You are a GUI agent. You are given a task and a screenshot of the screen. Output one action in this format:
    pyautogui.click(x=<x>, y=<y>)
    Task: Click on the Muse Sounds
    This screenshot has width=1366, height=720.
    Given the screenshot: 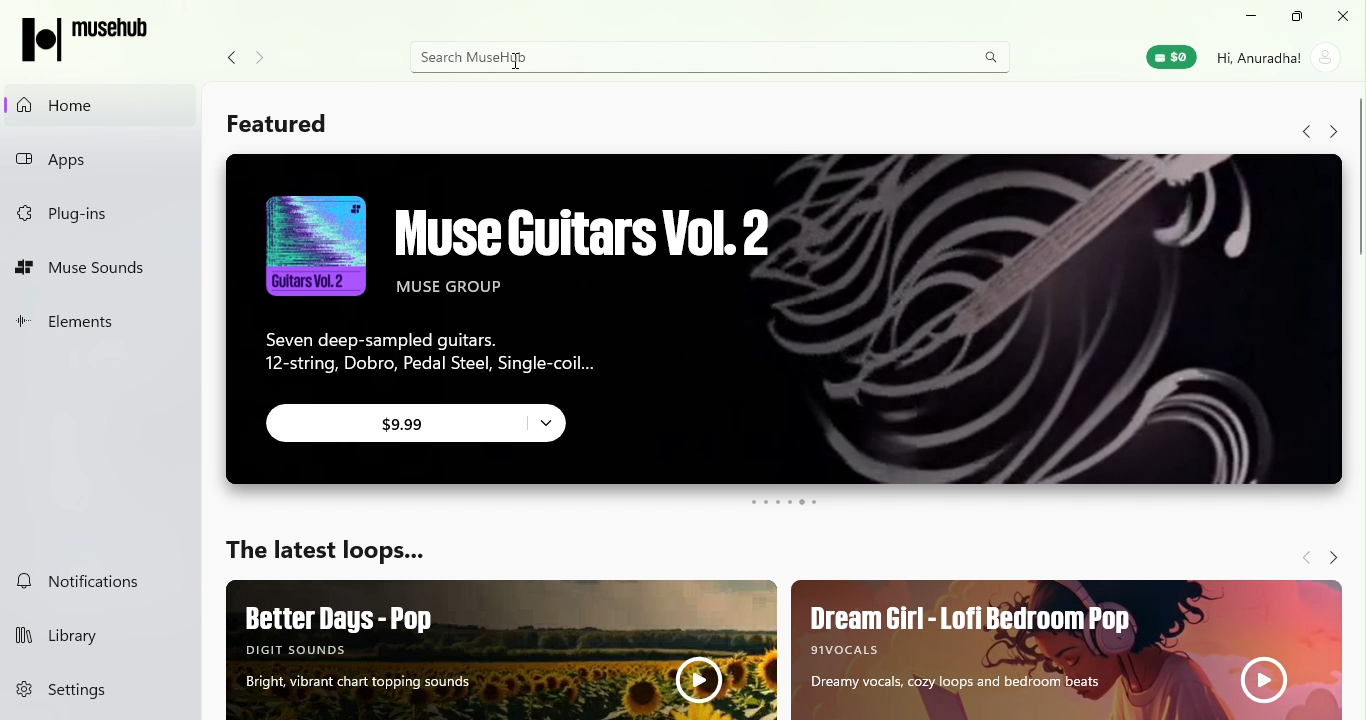 What is the action you would take?
    pyautogui.click(x=94, y=270)
    